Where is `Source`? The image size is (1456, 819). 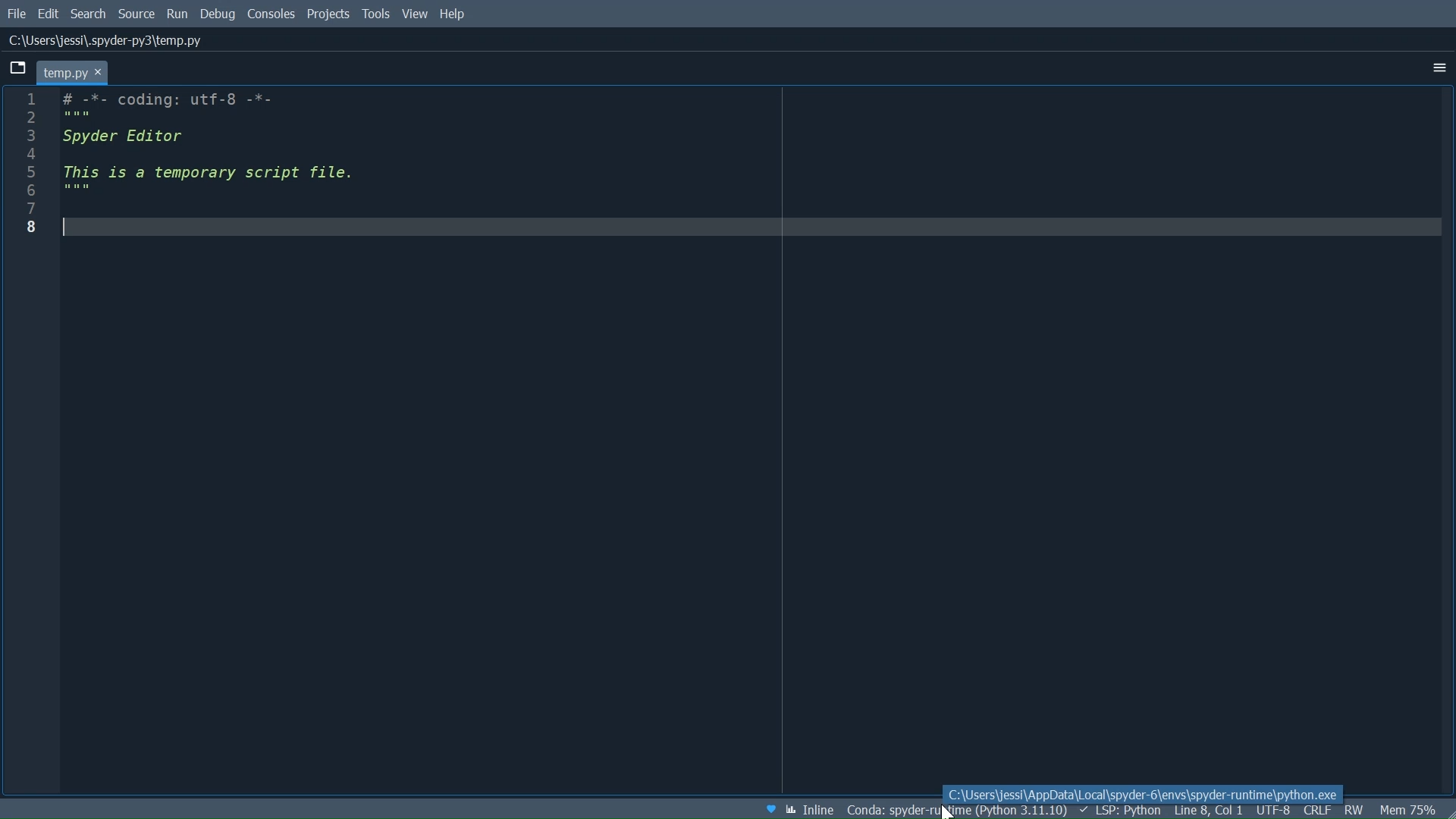 Source is located at coordinates (136, 14).